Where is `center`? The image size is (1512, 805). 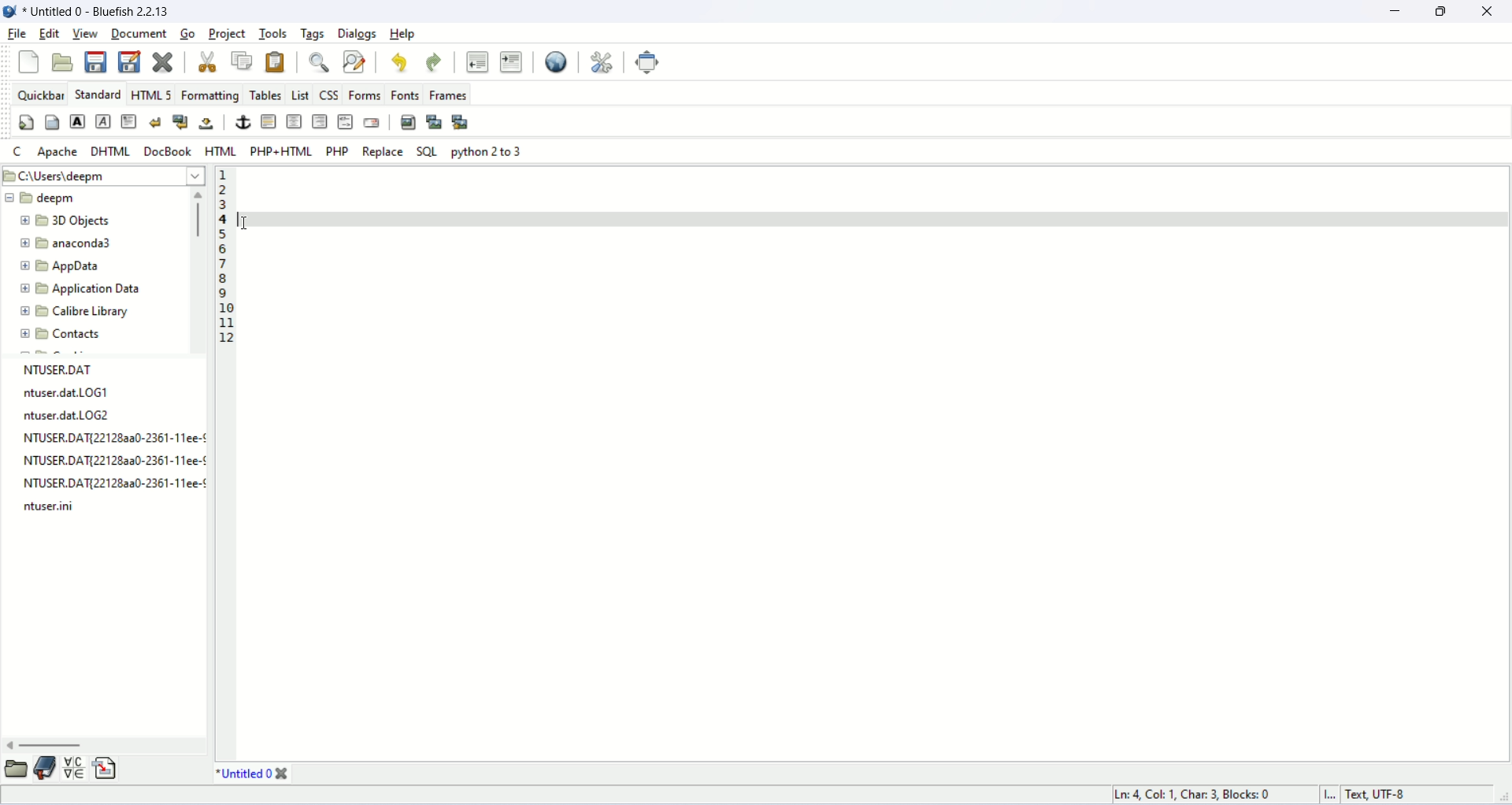 center is located at coordinates (295, 121).